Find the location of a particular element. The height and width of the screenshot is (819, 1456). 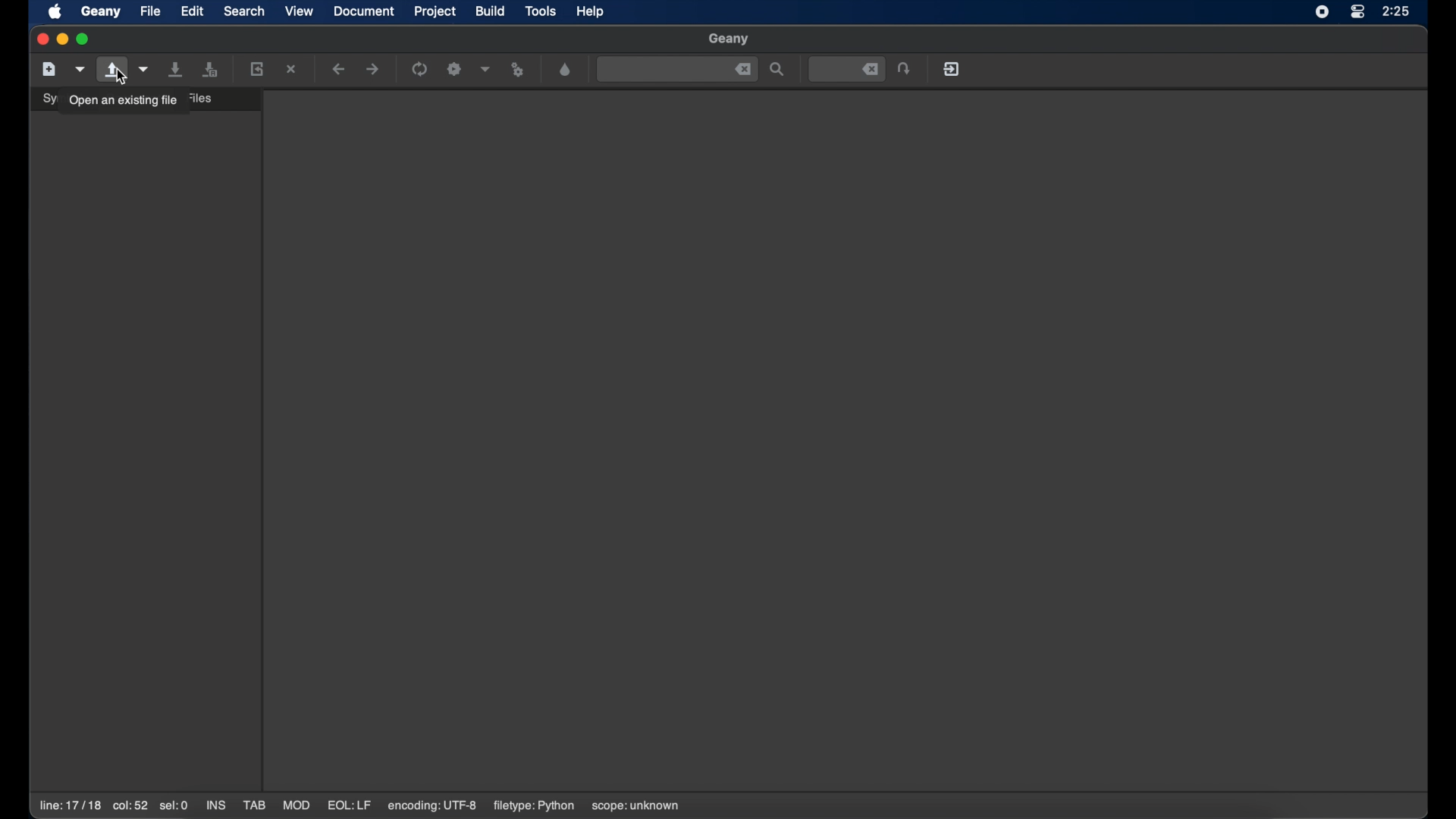

navigate backward a location is located at coordinates (340, 69).